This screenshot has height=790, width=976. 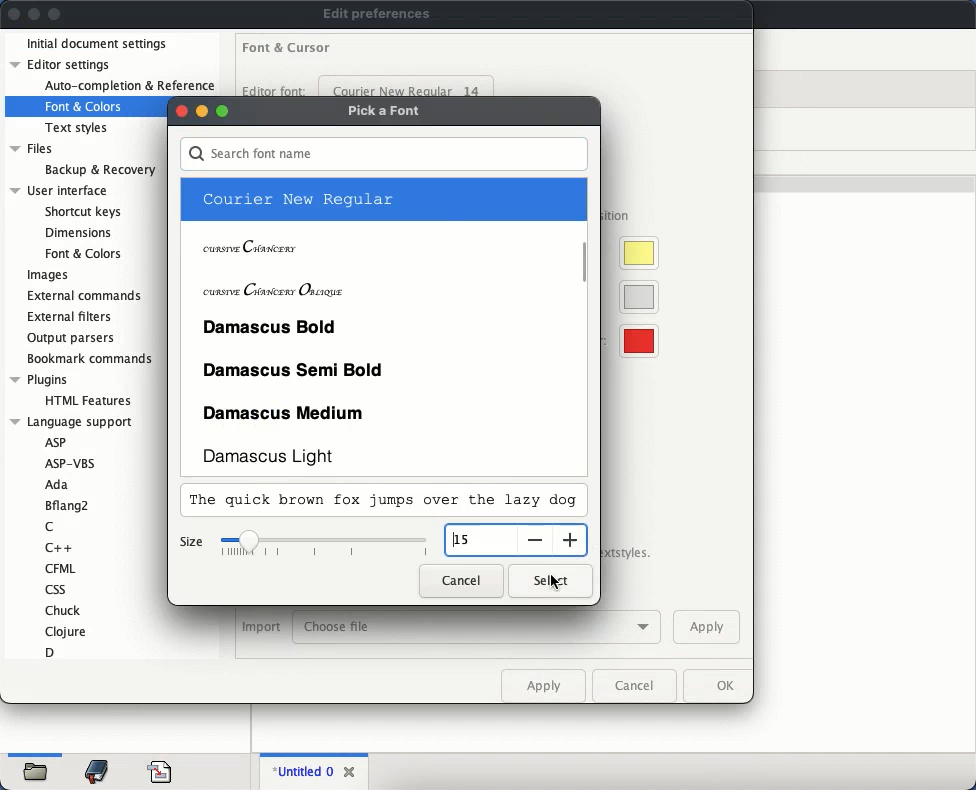 I want to click on apply, so click(x=706, y=626).